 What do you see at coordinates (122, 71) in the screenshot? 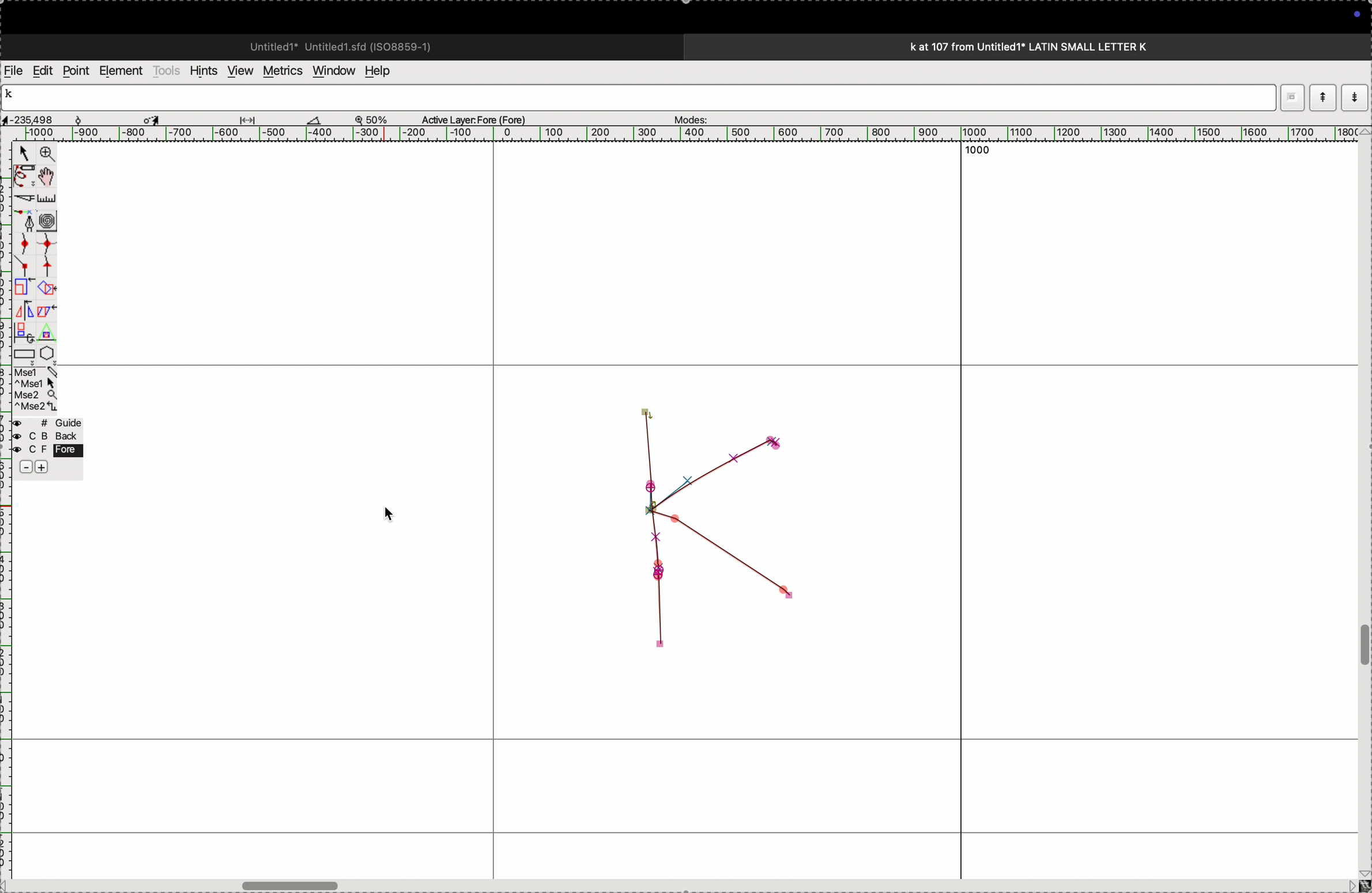
I see `element` at bounding box center [122, 71].